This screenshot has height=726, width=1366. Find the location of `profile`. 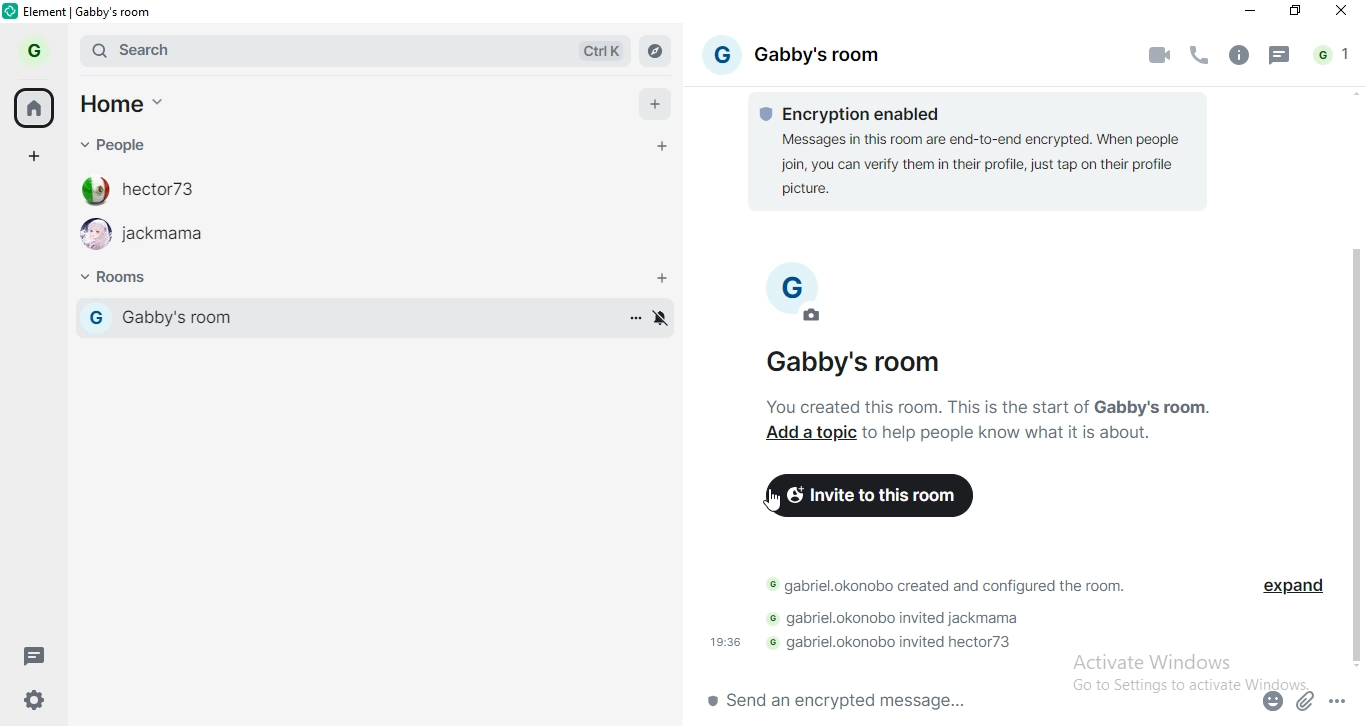

profile is located at coordinates (95, 319).